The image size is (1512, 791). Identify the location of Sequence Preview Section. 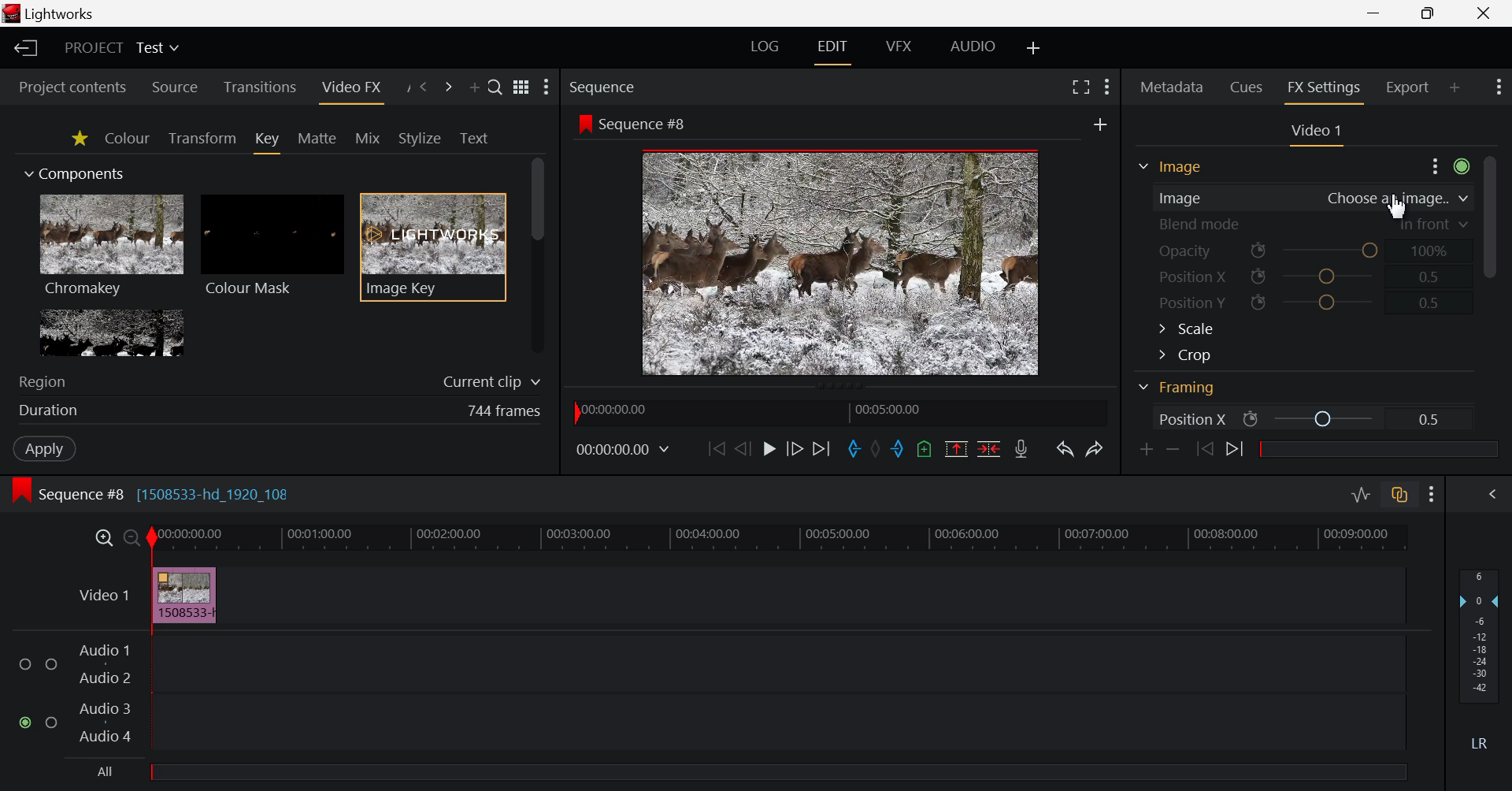
(609, 86).